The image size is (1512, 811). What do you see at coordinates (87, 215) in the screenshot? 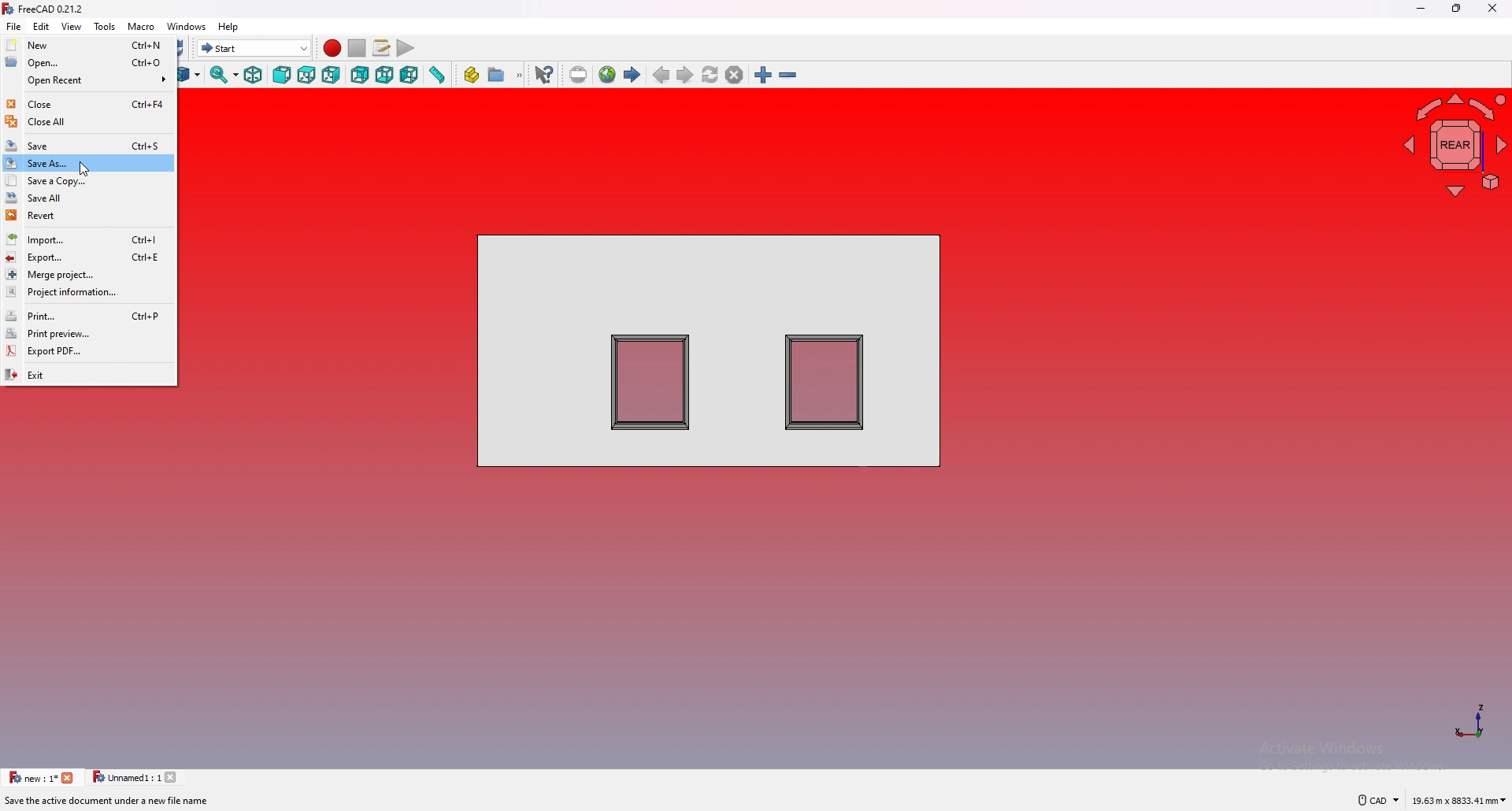
I see `revert` at bounding box center [87, 215].